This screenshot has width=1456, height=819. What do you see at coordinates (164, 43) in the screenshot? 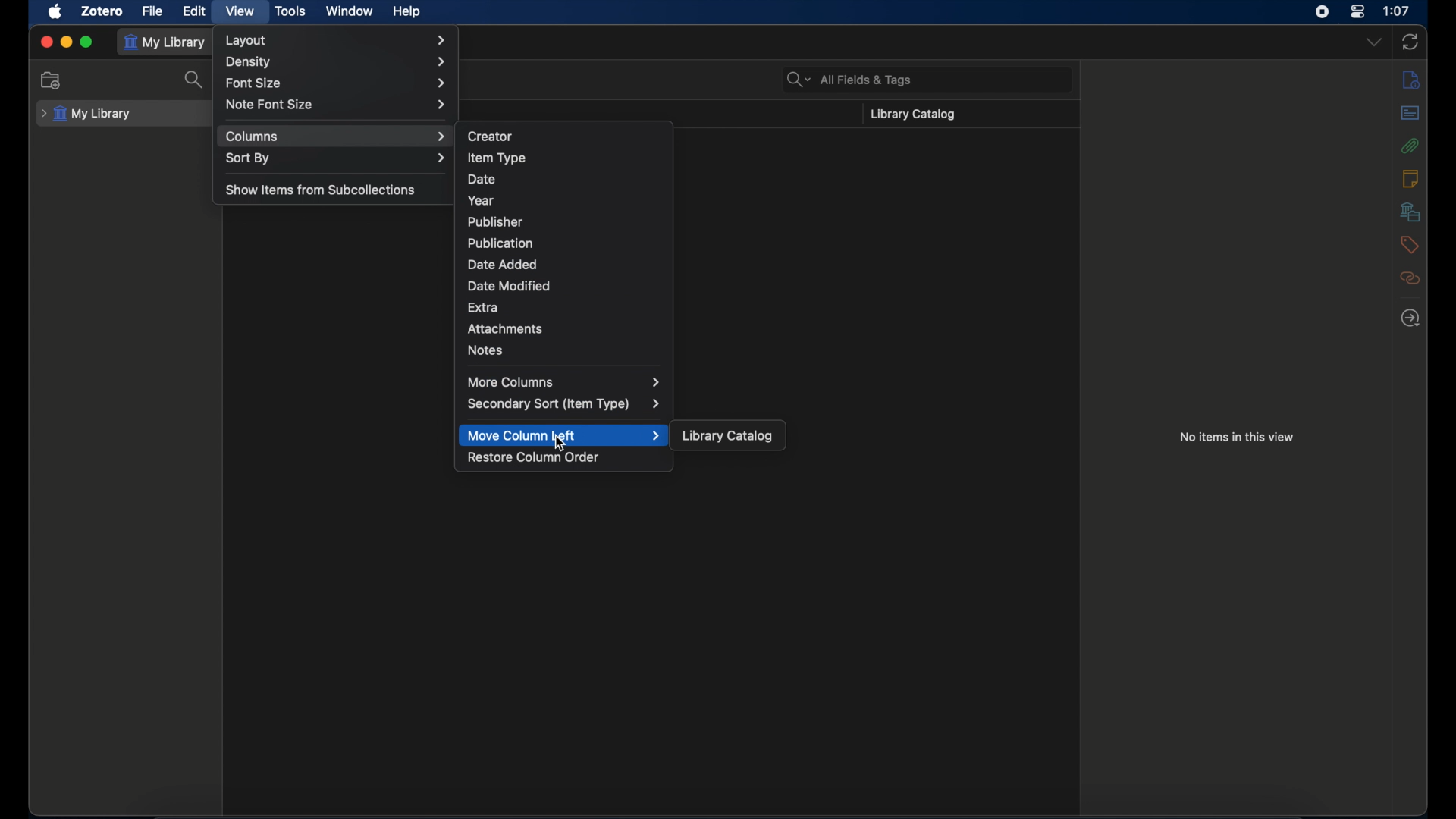
I see `my library` at bounding box center [164, 43].